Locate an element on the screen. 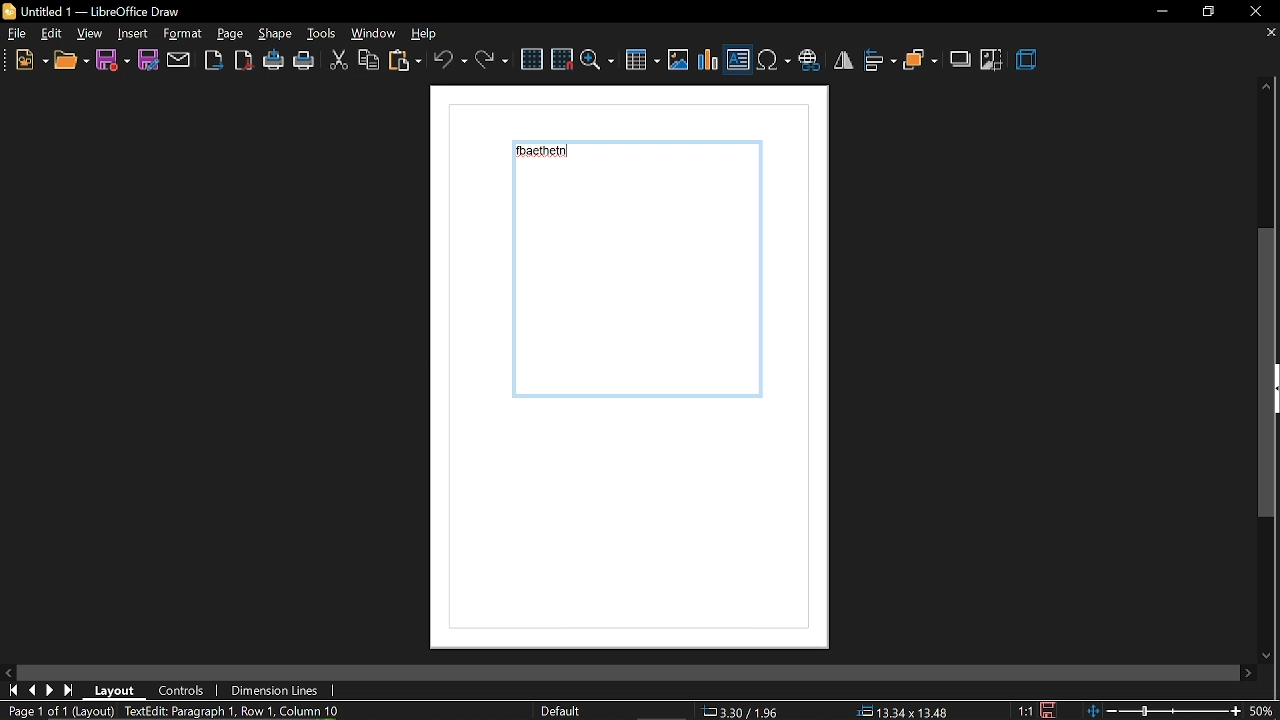 The width and height of the screenshot is (1280, 720). zoom change is located at coordinates (1183, 713).